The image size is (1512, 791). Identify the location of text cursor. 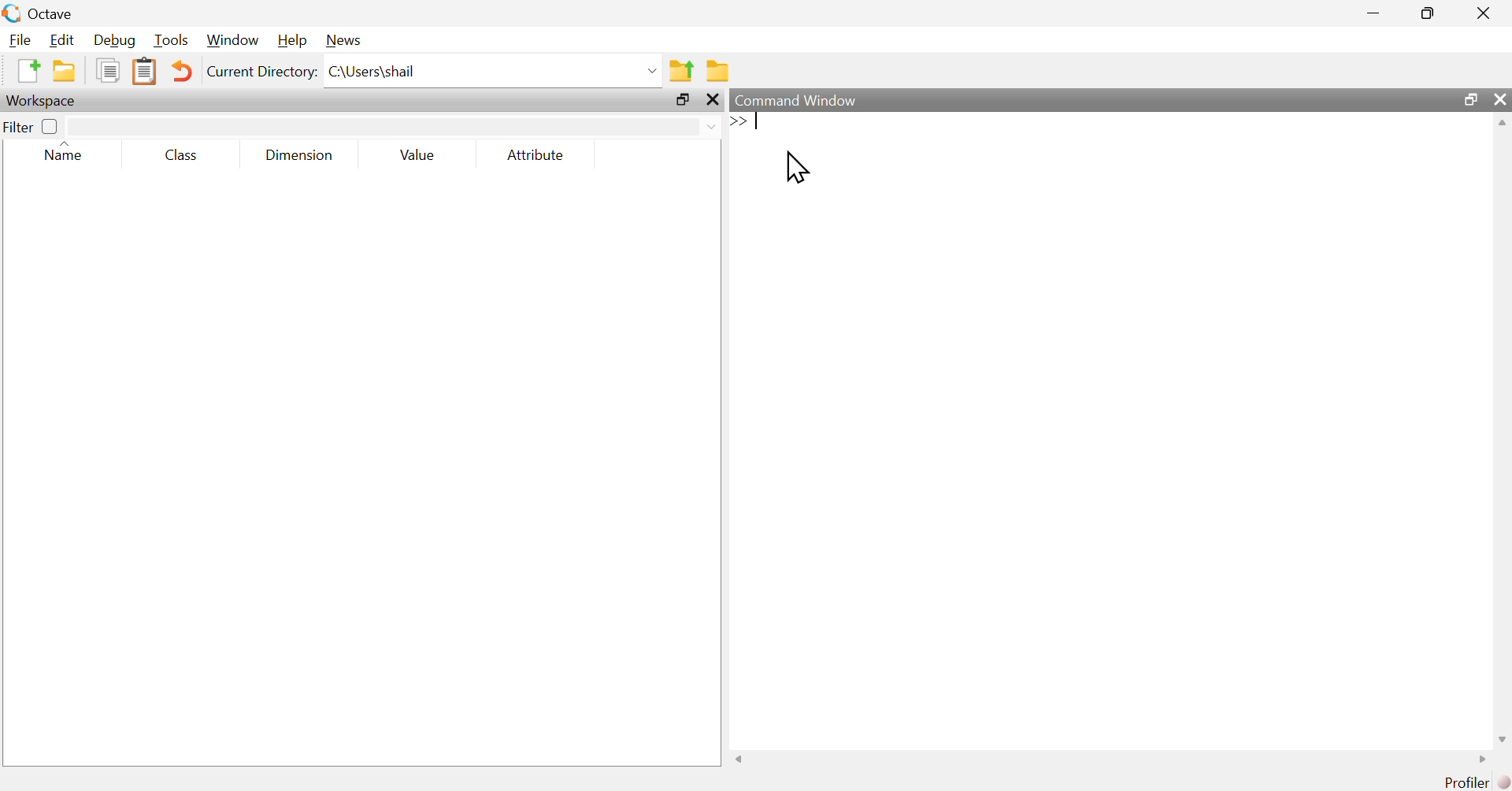
(761, 121).